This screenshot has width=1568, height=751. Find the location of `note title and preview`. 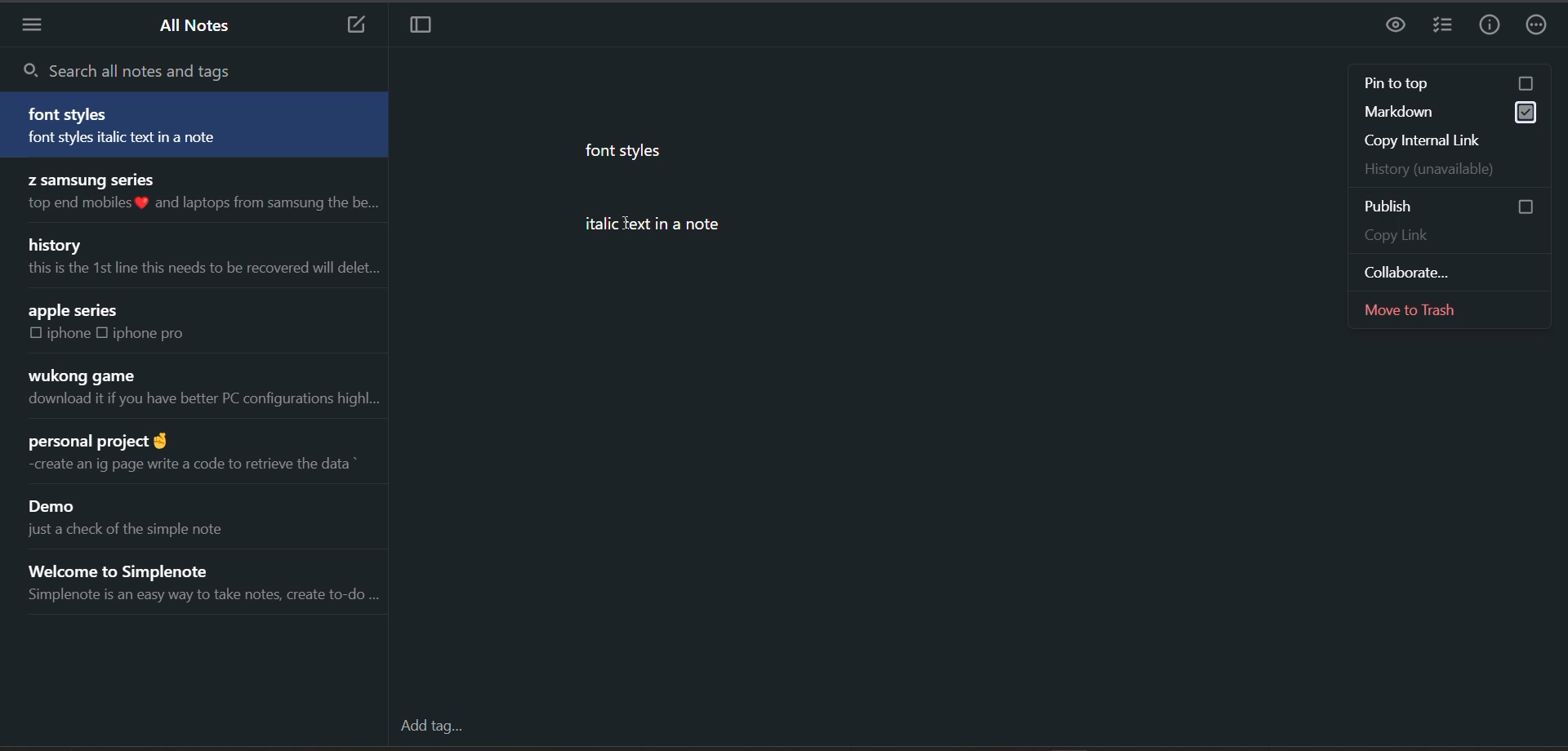

note title and preview is located at coordinates (145, 516).